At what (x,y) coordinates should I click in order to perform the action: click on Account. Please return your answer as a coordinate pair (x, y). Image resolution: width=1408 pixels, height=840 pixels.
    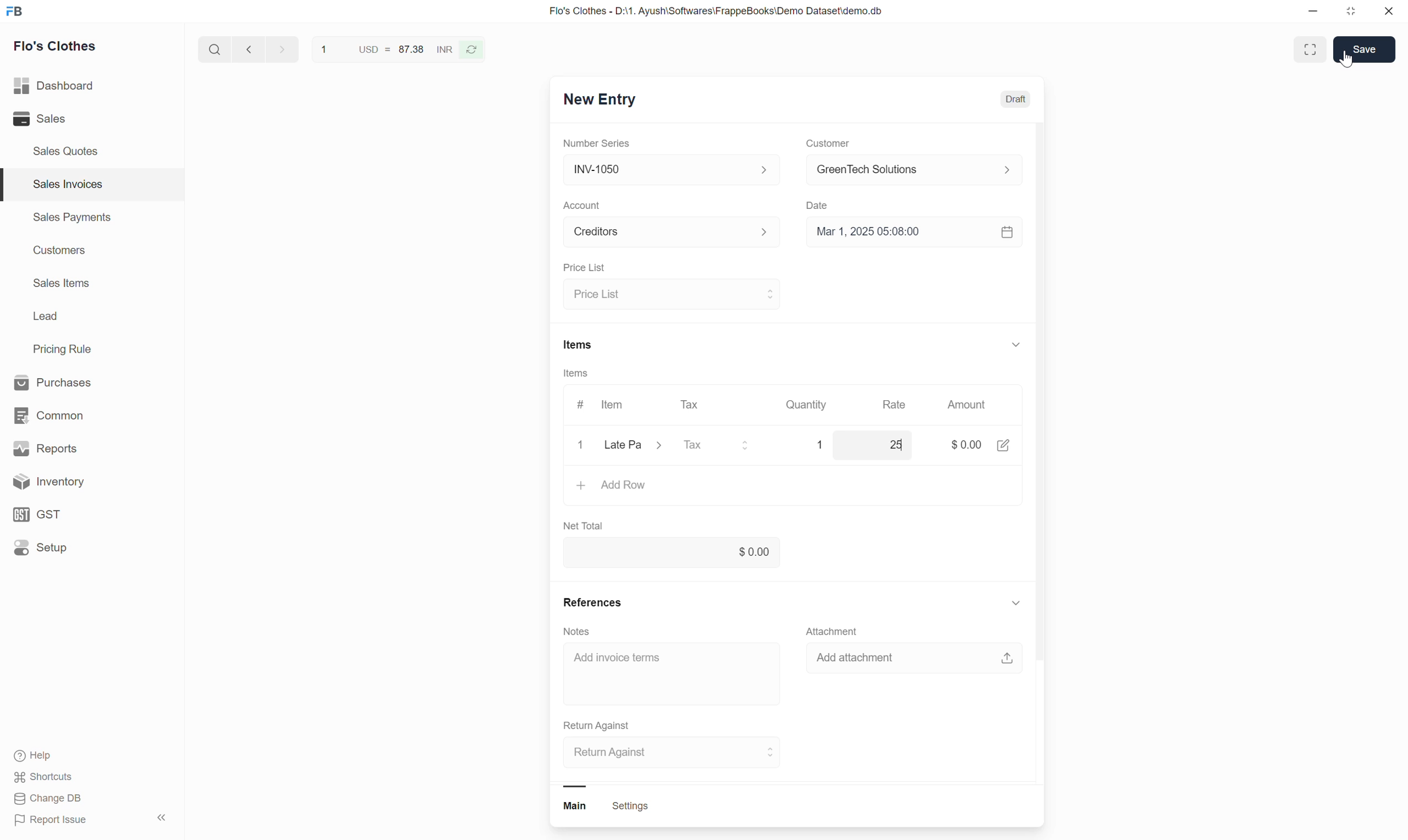
    Looking at the image, I should click on (584, 205).